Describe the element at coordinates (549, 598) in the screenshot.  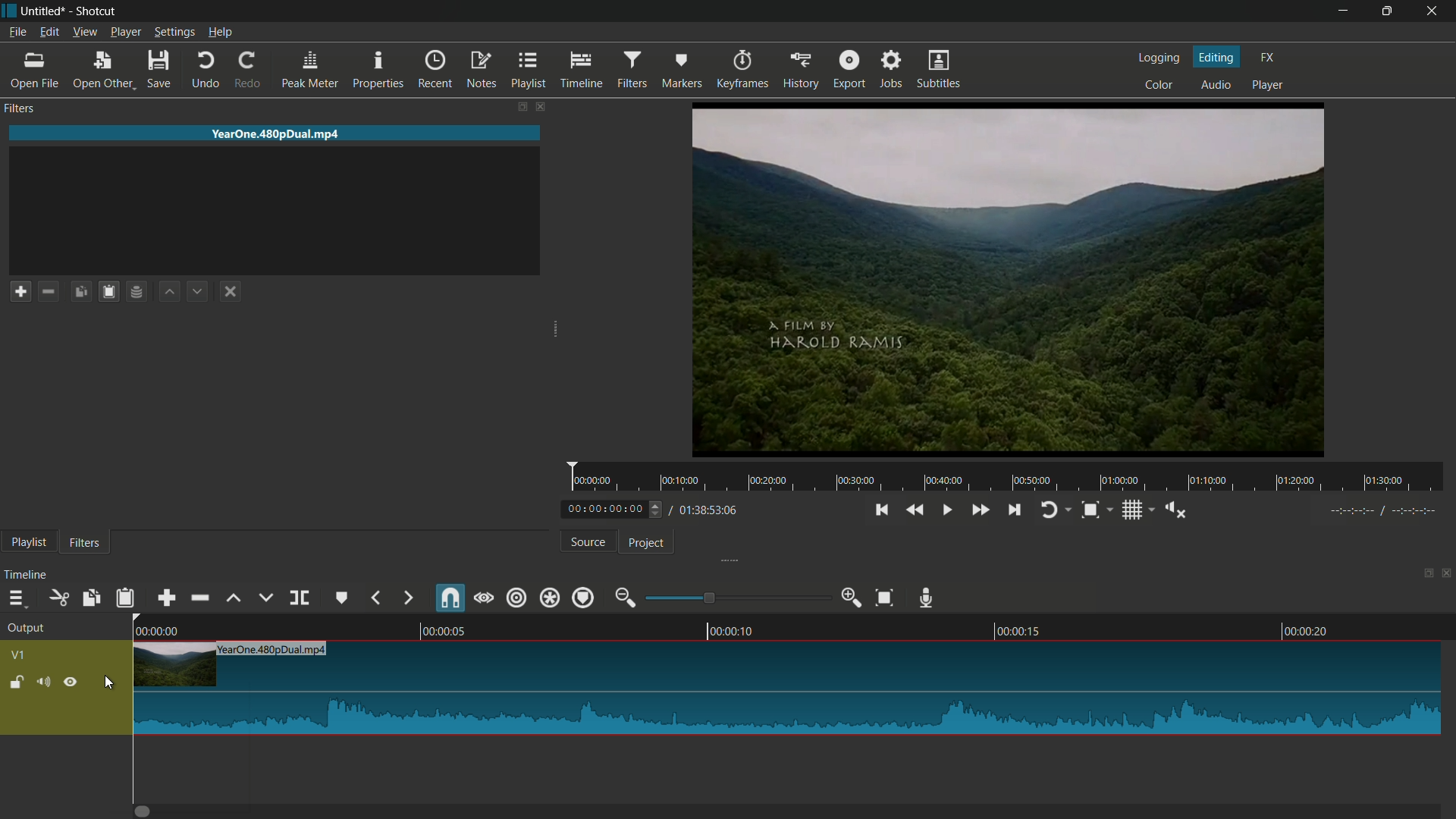
I see `ripple all tracks` at that location.